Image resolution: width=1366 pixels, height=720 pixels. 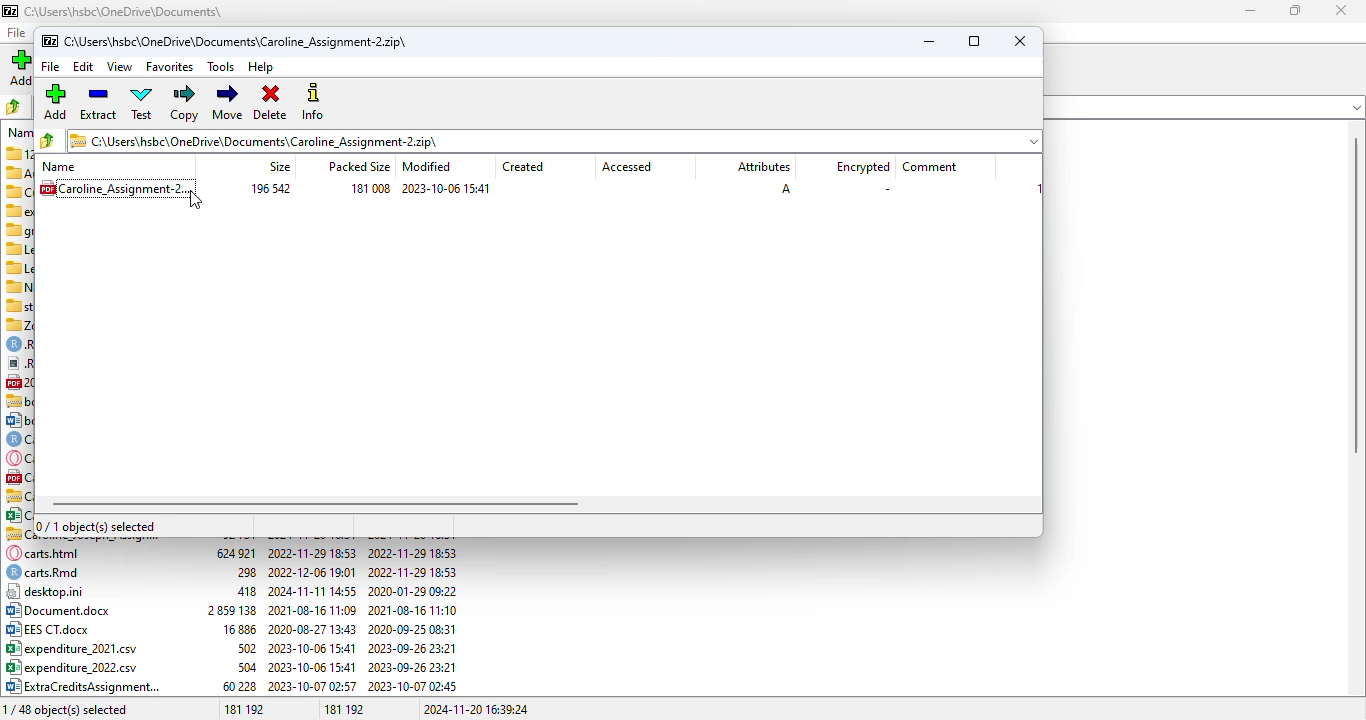 What do you see at coordinates (261, 67) in the screenshot?
I see `help` at bounding box center [261, 67].